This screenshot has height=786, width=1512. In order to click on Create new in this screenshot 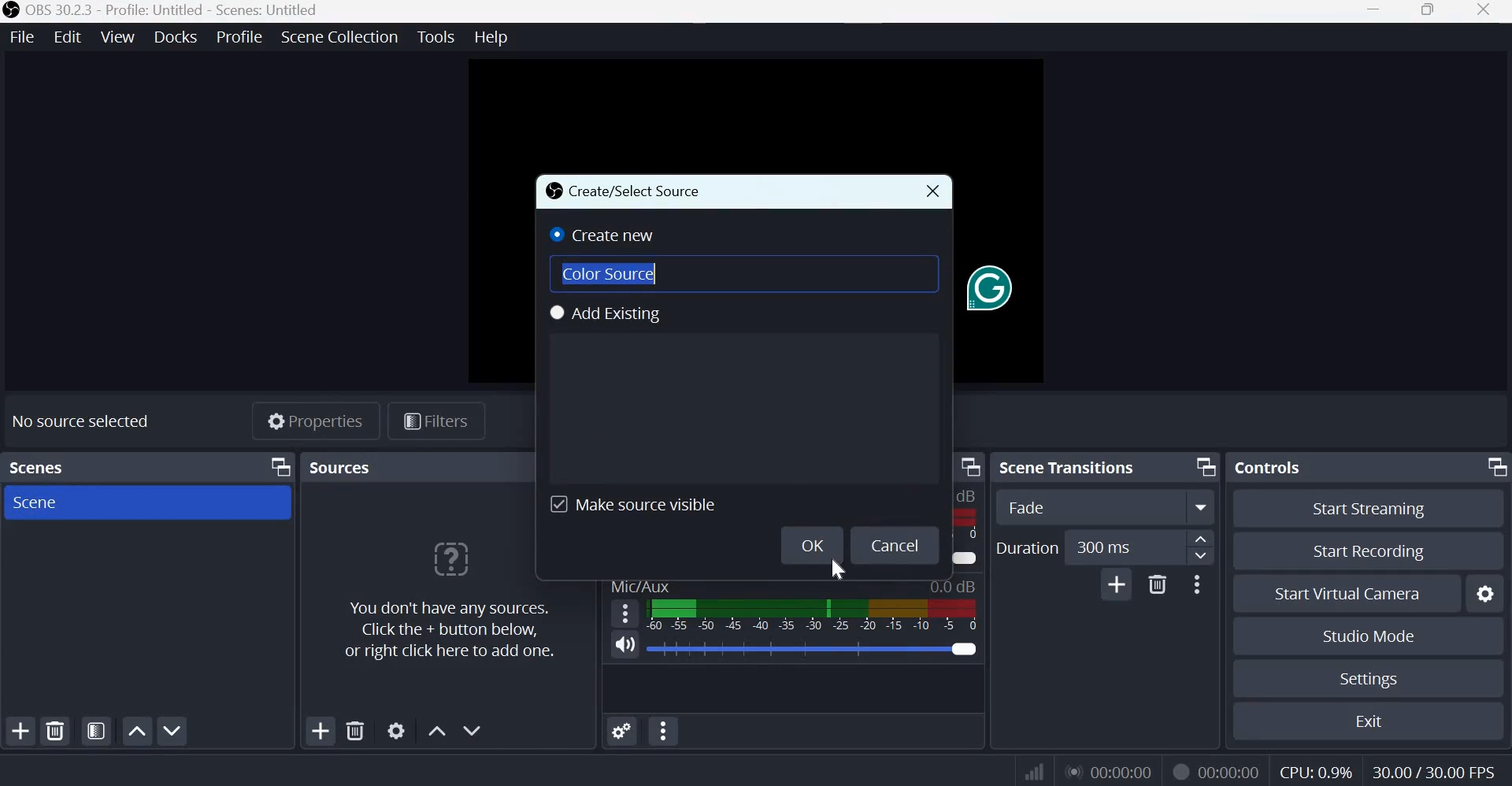, I will do `click(606, 234)`.